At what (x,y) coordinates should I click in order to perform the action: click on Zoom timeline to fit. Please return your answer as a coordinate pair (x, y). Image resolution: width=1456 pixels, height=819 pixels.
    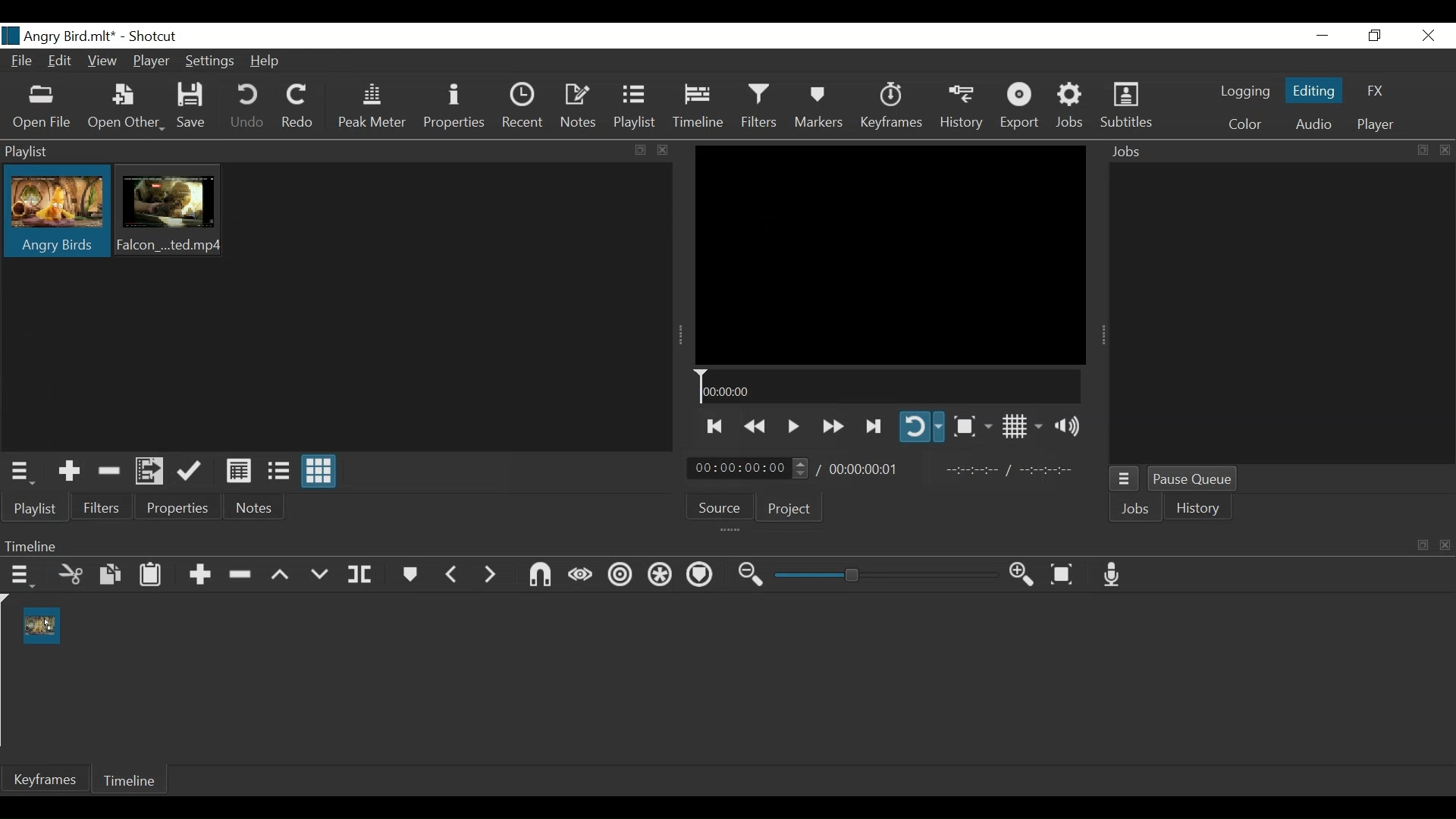
    Looking at the image, I should click on (1062, 576).